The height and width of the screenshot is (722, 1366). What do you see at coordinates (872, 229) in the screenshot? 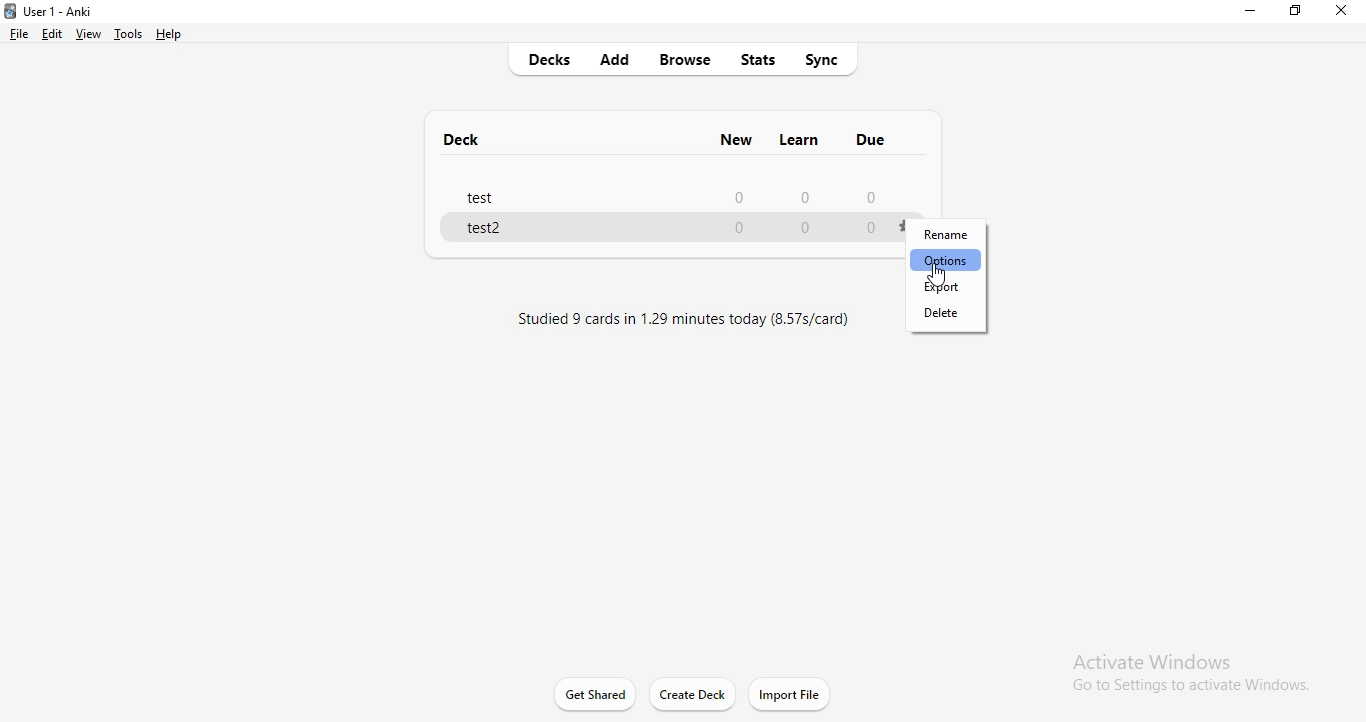
I see `0` at bounding box center [872, 229].